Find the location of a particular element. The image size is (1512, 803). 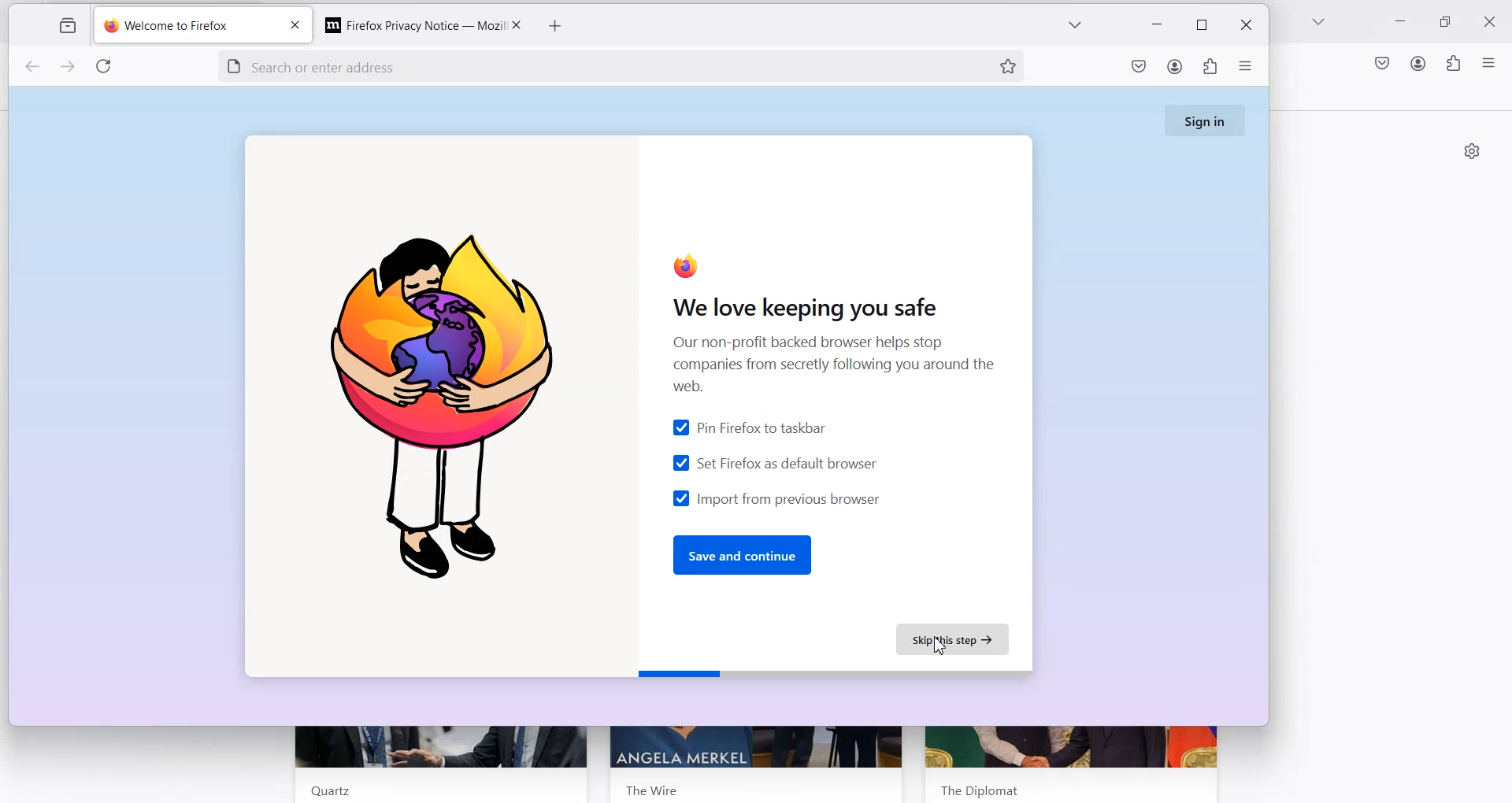

open application menu is located at coordinates (1246, 69).